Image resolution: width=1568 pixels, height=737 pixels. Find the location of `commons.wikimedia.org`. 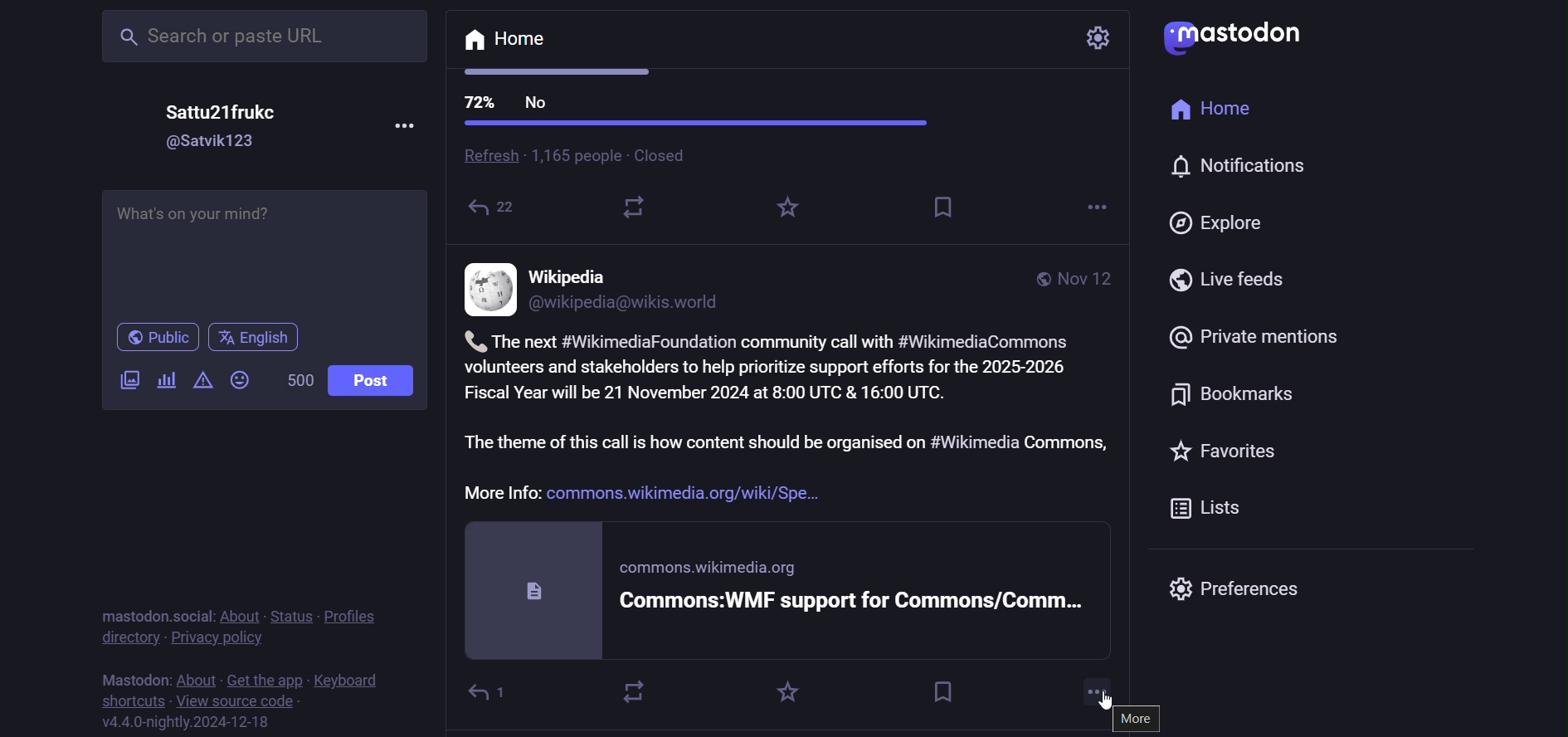

commons.wikimedia.org is located at coordinates (718, 569).